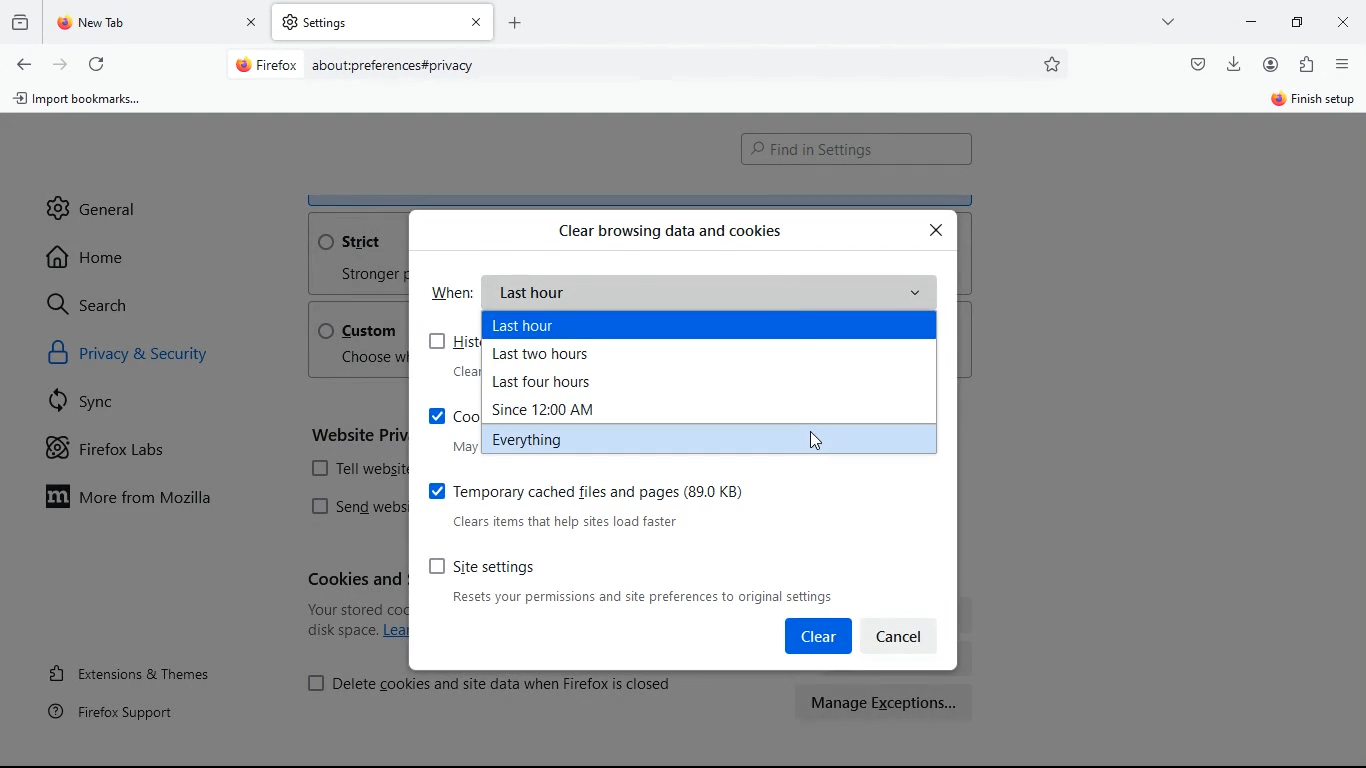 The height and width of the screenshot is (768, 1366). I want to click on Search bar, so click(644, 66).